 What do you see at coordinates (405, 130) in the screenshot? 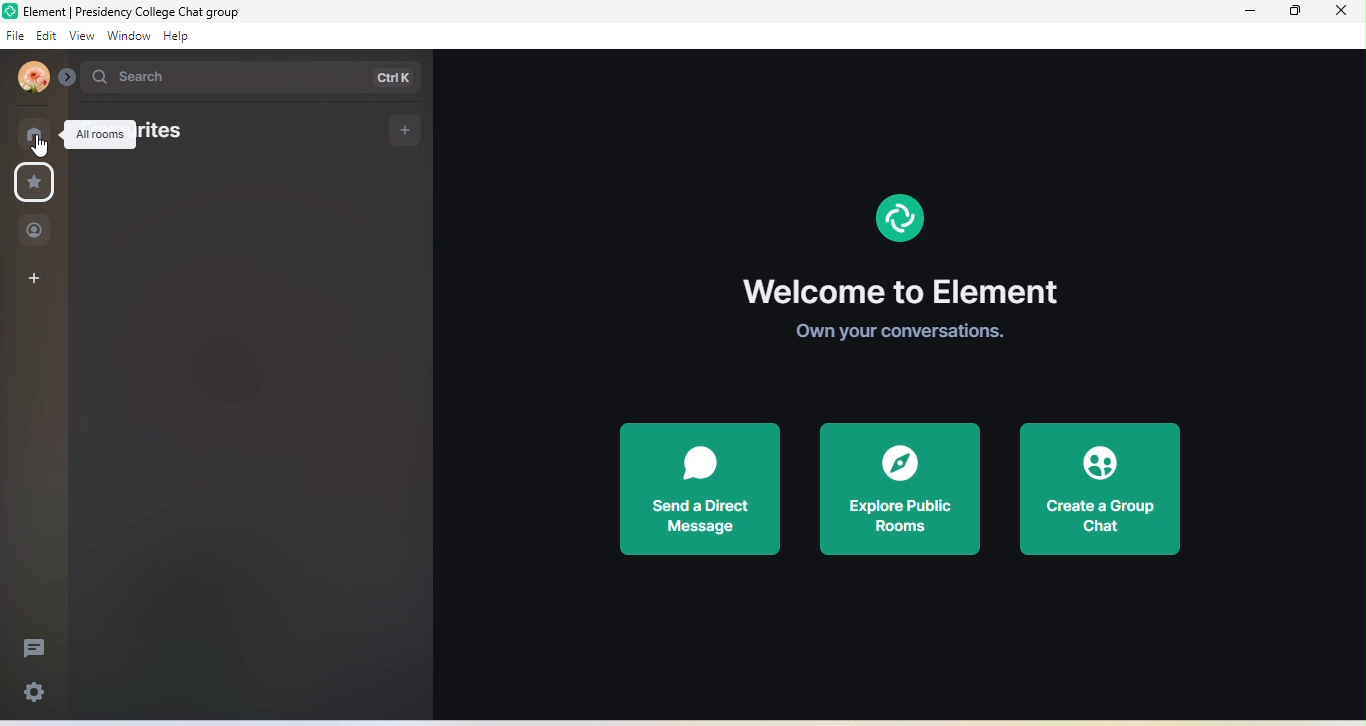
I see `add` at bounding box center [405, 130].